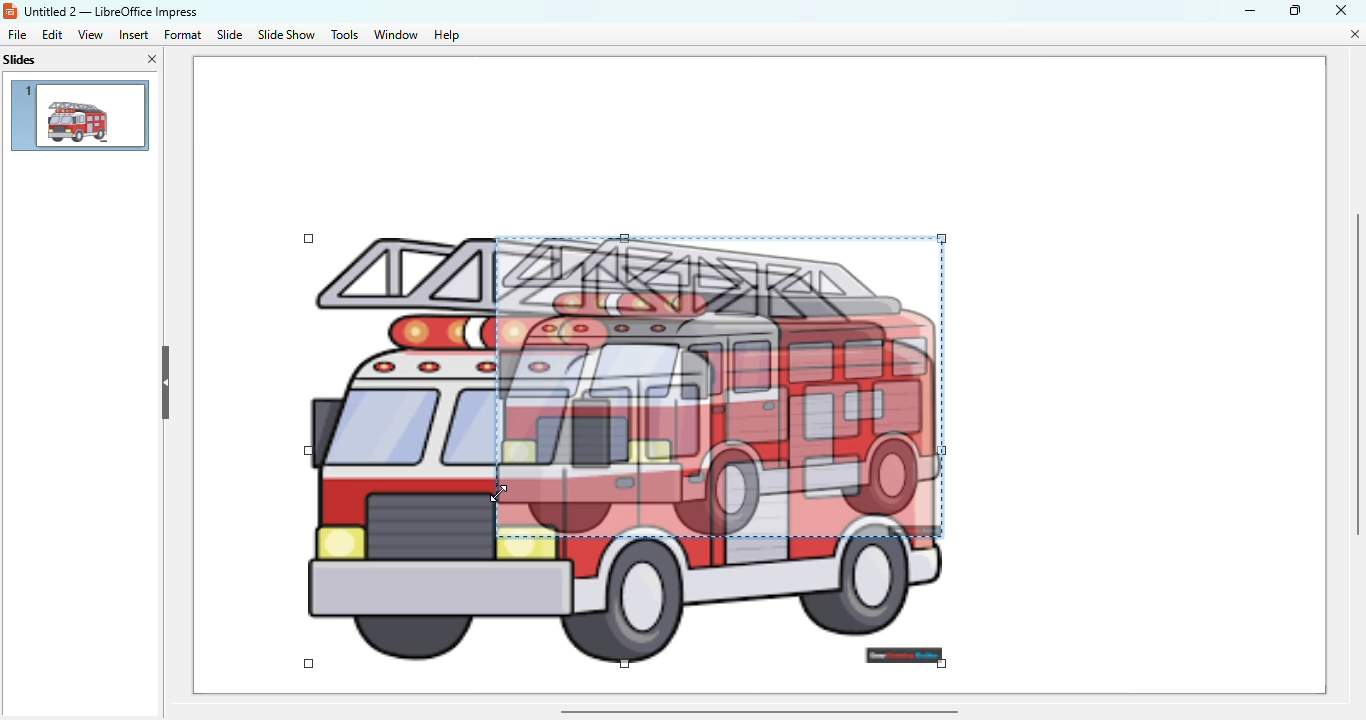  What do you see at coordinates (625, 238) in the screenshot?
I see `corner handles` at bounding box center [625, 238].